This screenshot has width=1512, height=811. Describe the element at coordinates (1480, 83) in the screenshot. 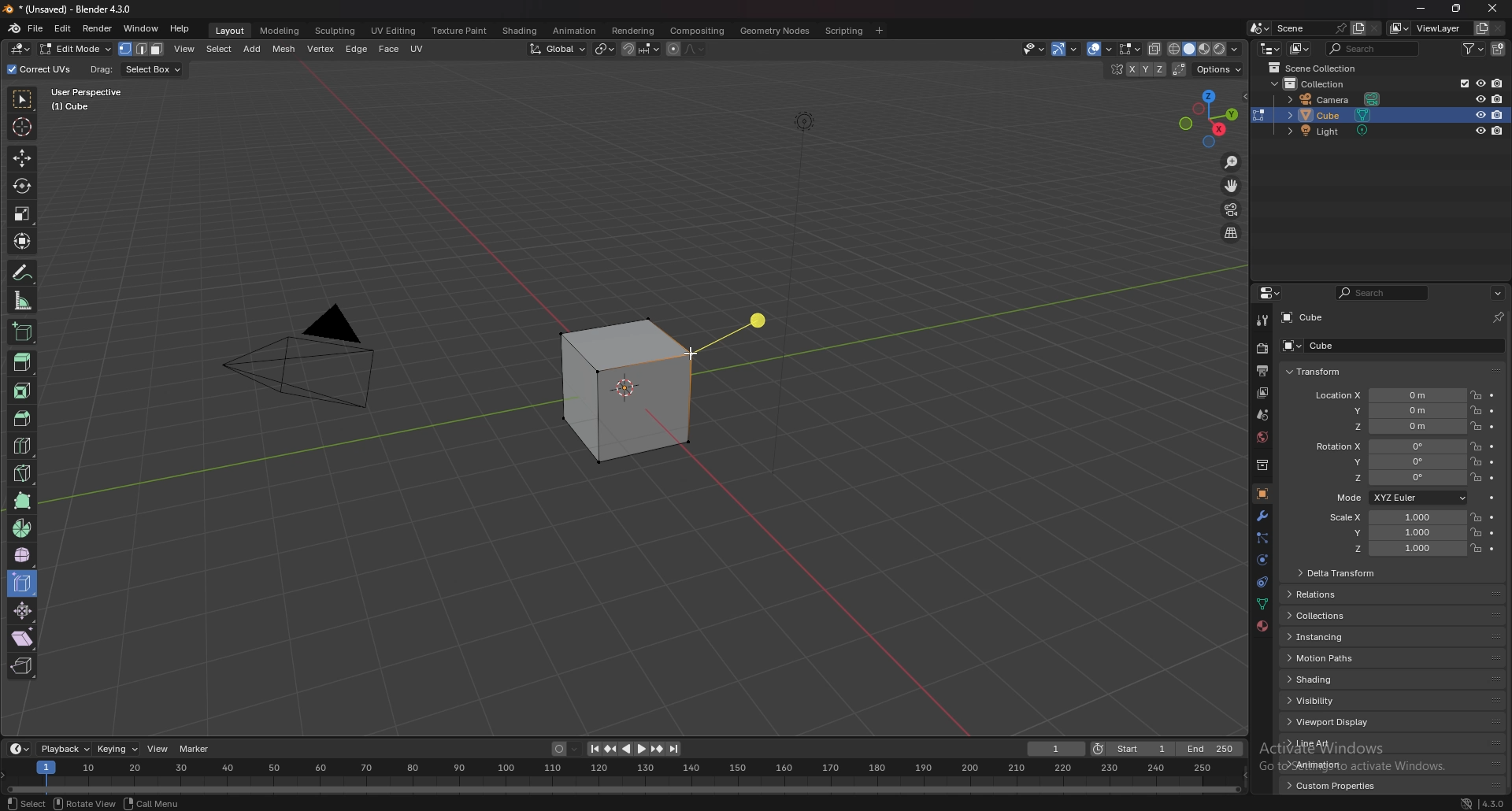

I see `hide in viewport` at that location.